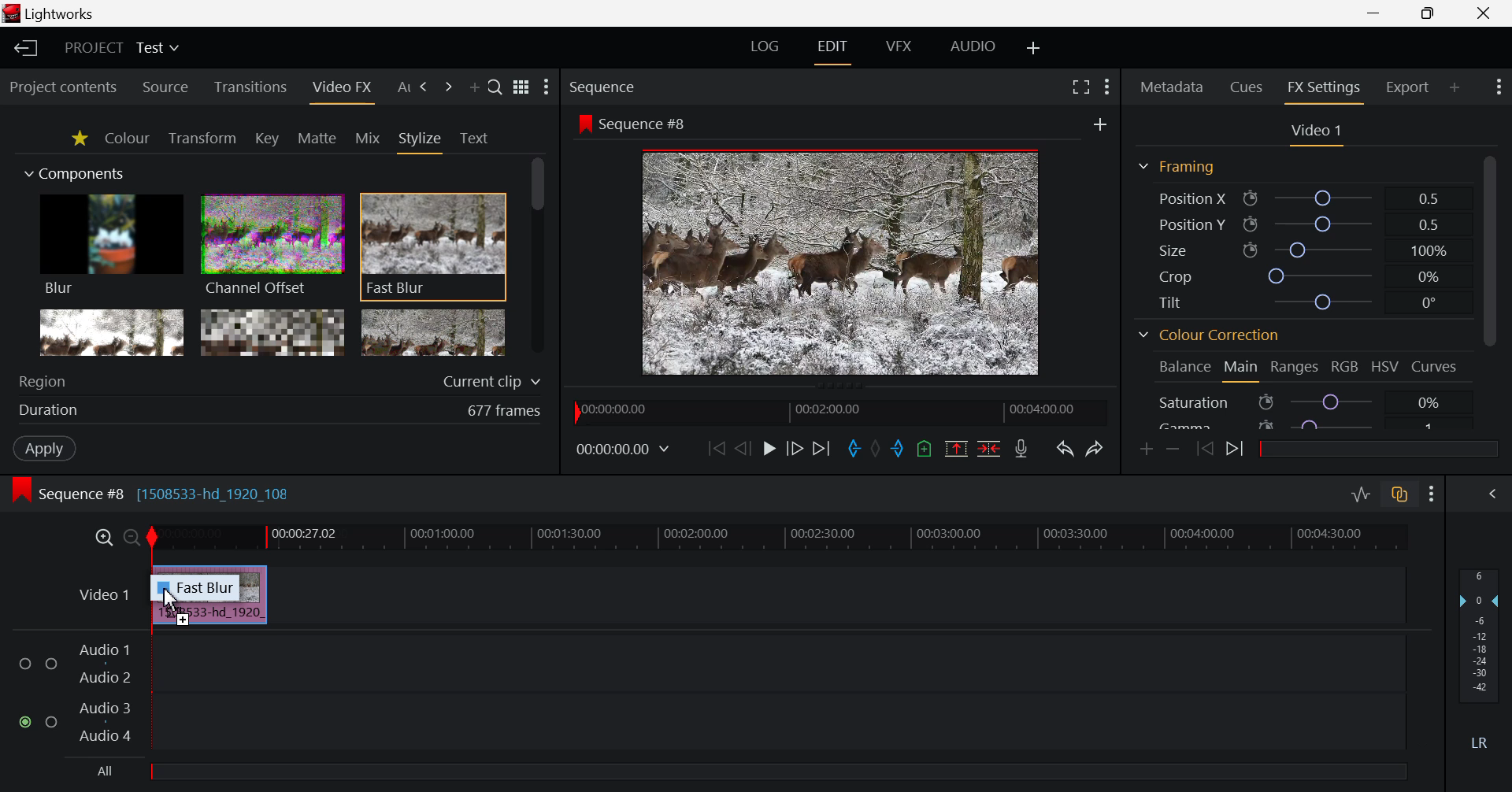 Image resolution: width=1512 pixels, height=792 pixels. I want to click on Tilt, so click(1303, 301).